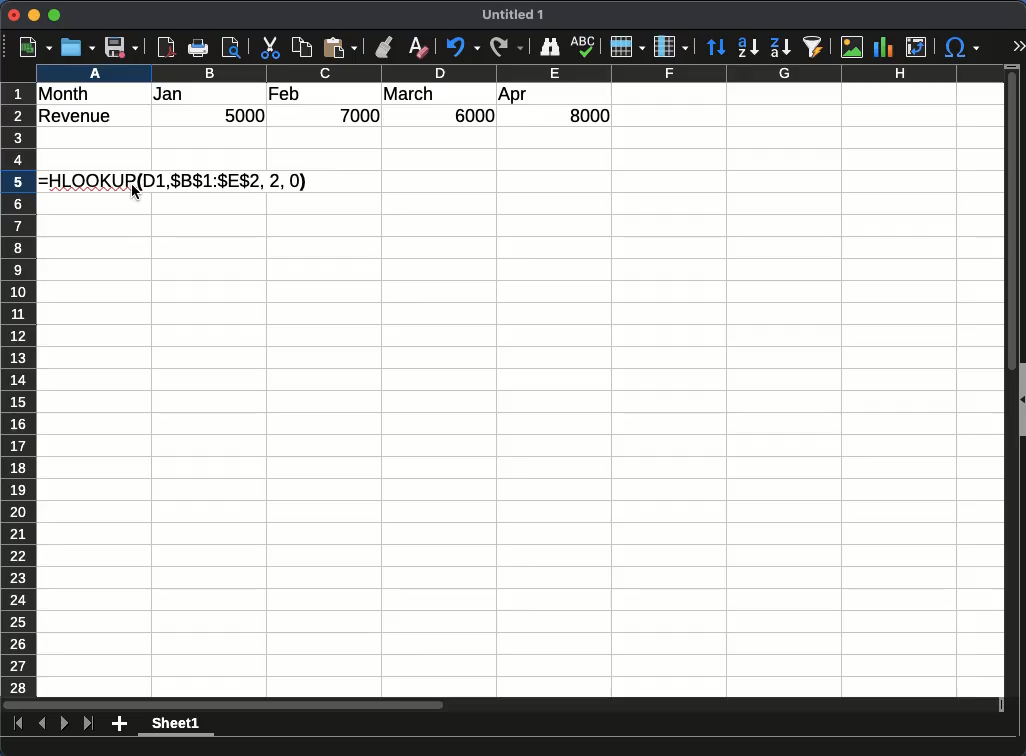 This screenshot has height=756, width=1026. I want to click on apr, so click(512, 96).